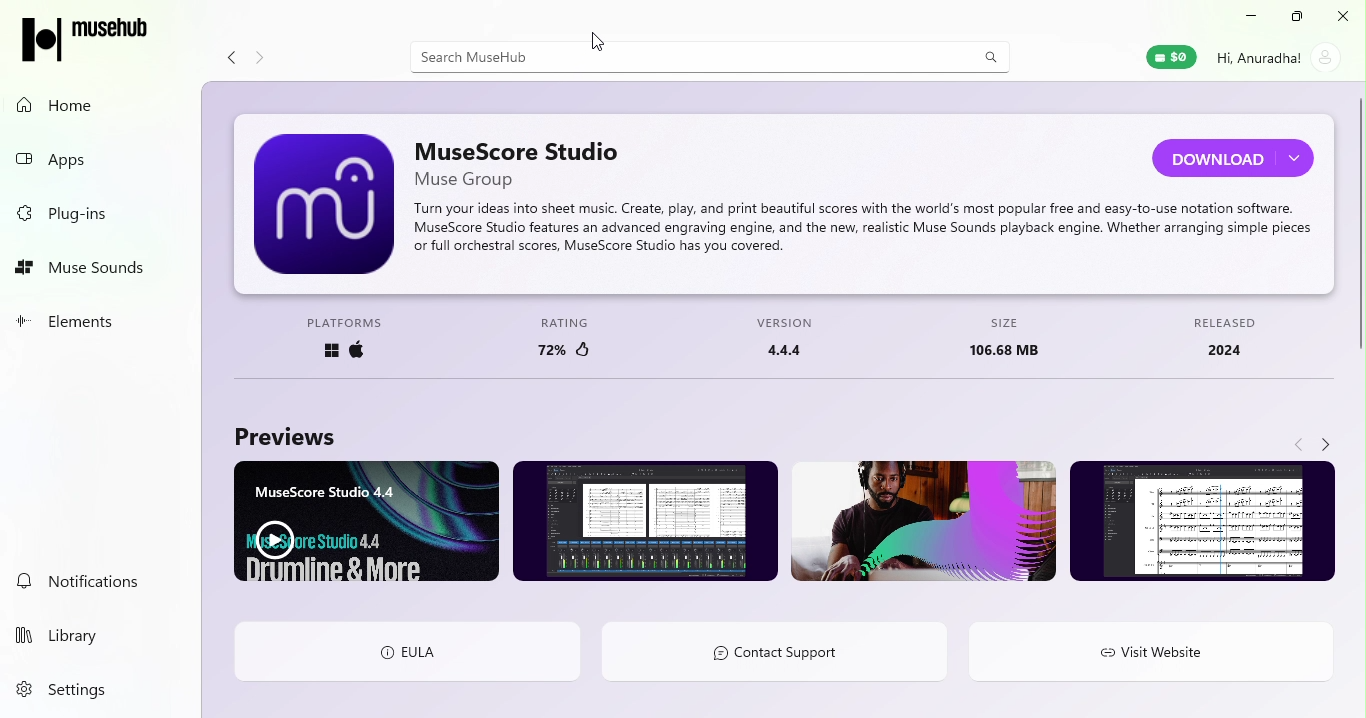  I want to click on Navigate back, so click(1298, 443).